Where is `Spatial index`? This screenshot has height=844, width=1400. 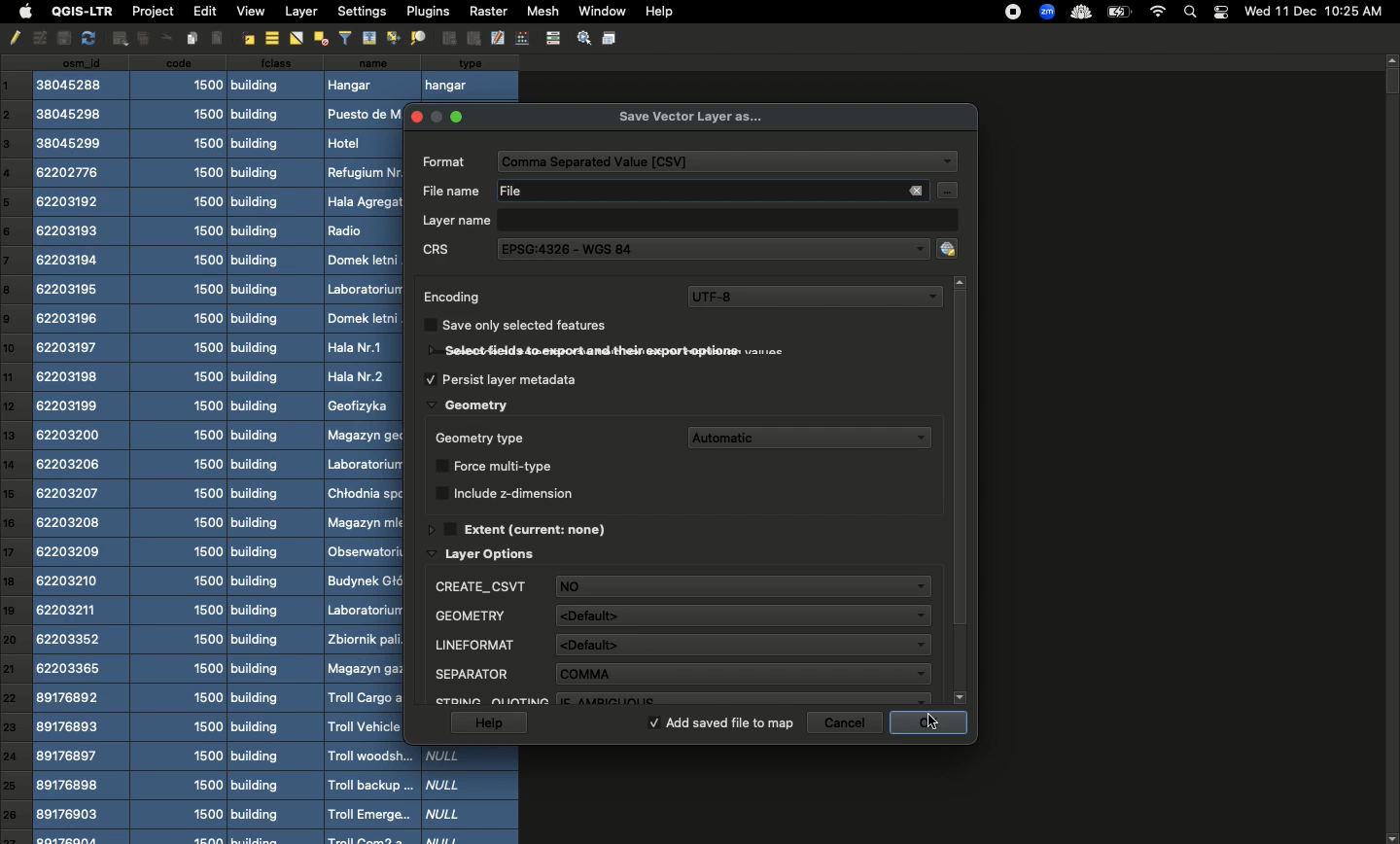
Spatial index is located at coordinates (682, 696).